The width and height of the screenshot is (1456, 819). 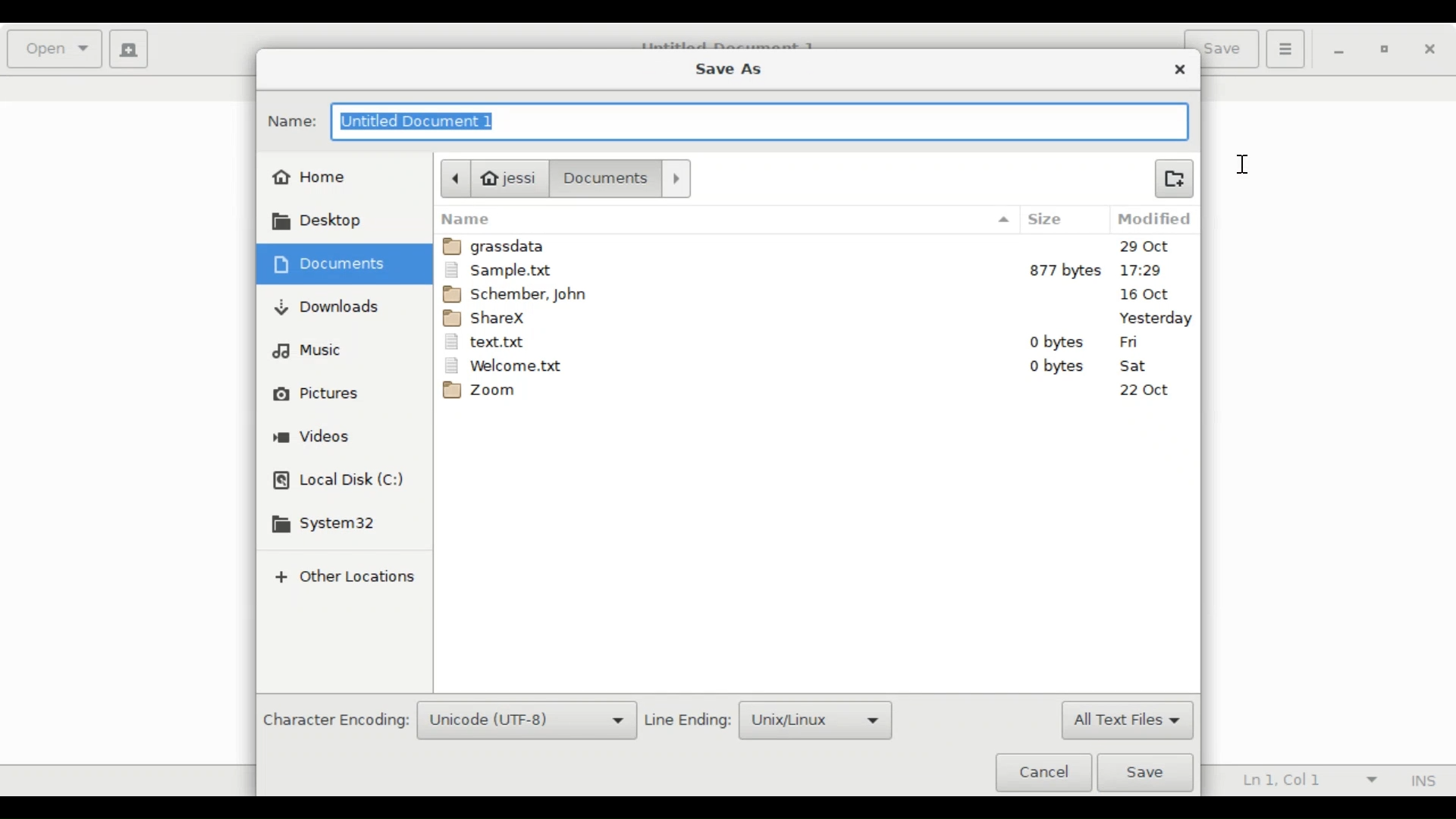 What do you see at coordinates (492, 177) in the screenshot?
I see `jessi` at bounding box center [492, 177].